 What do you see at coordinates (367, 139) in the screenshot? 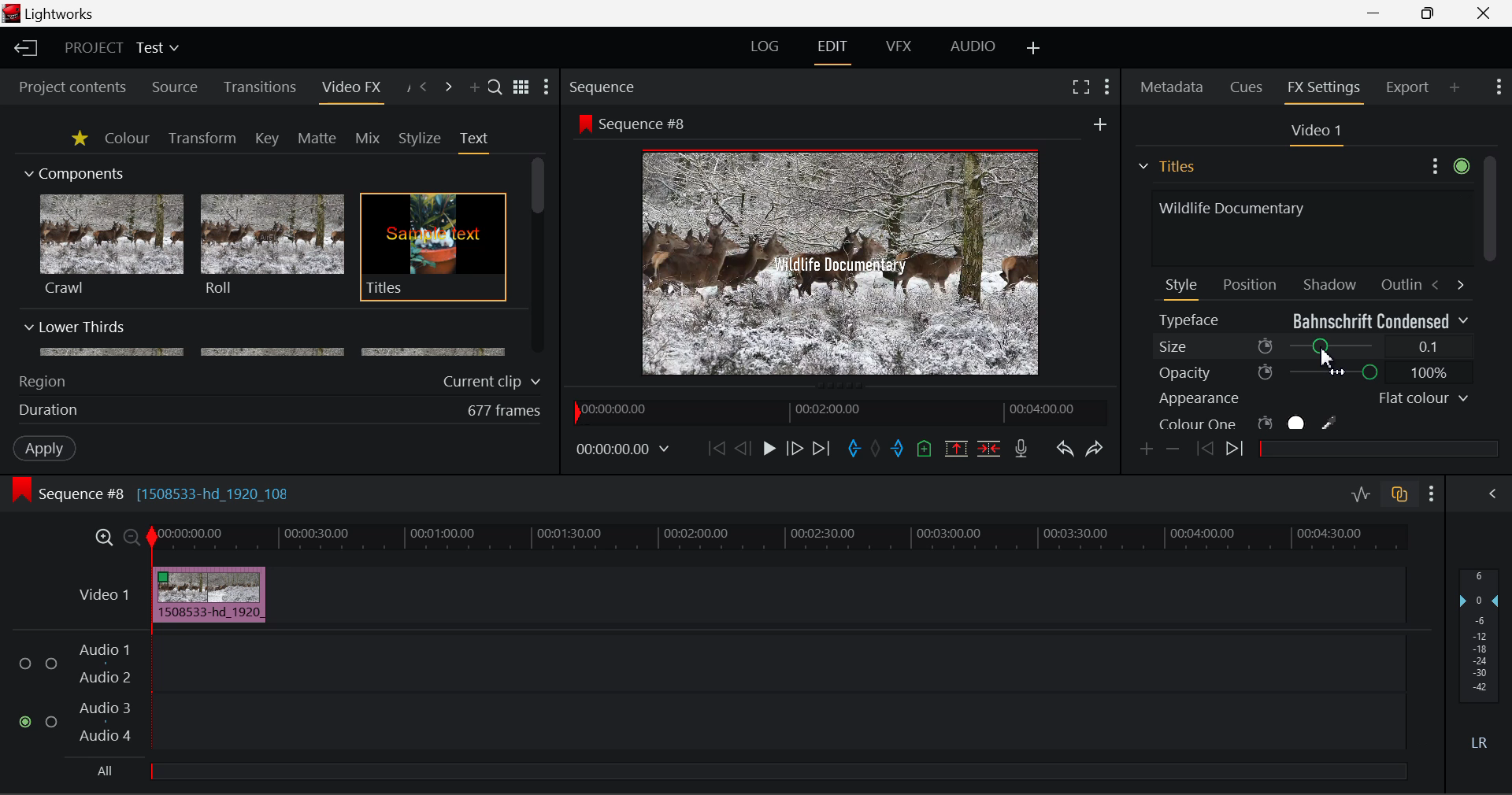
I see `Mix` at bounding box center [367, 139].